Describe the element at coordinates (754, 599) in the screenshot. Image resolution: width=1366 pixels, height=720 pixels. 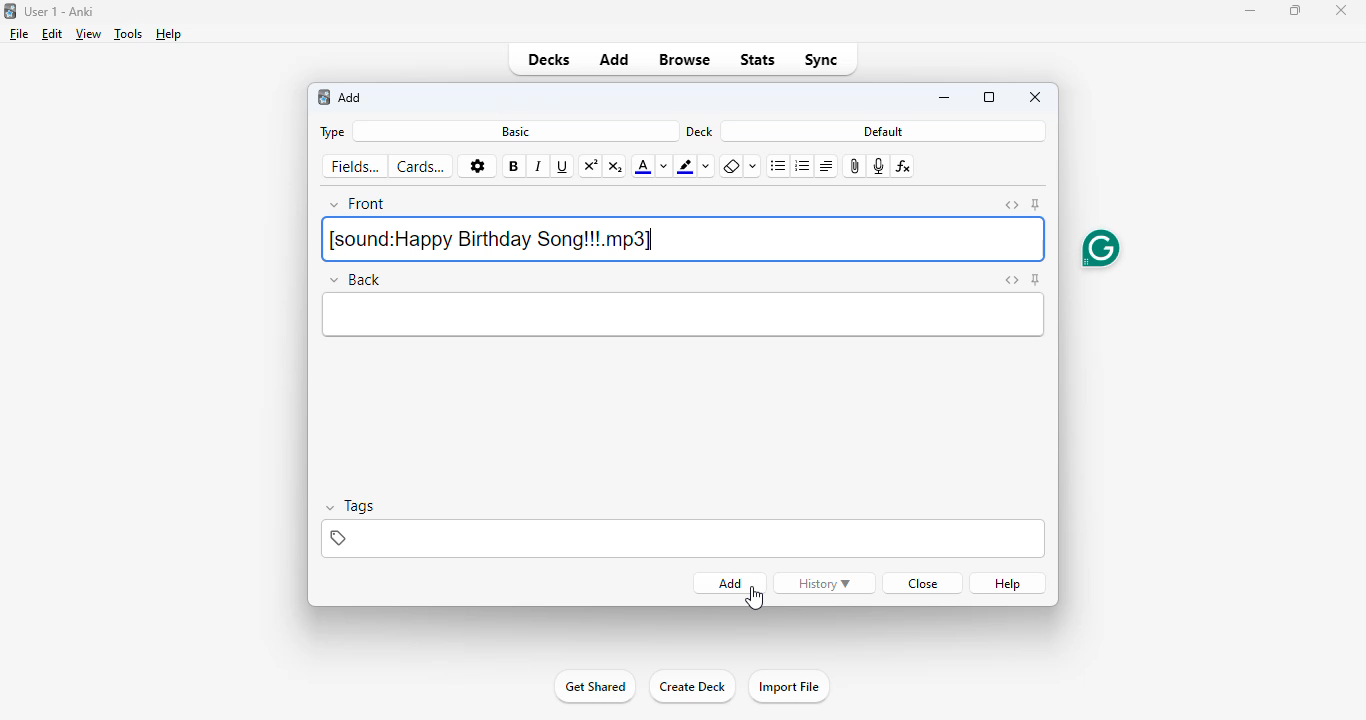
I see `cursor` at that location.